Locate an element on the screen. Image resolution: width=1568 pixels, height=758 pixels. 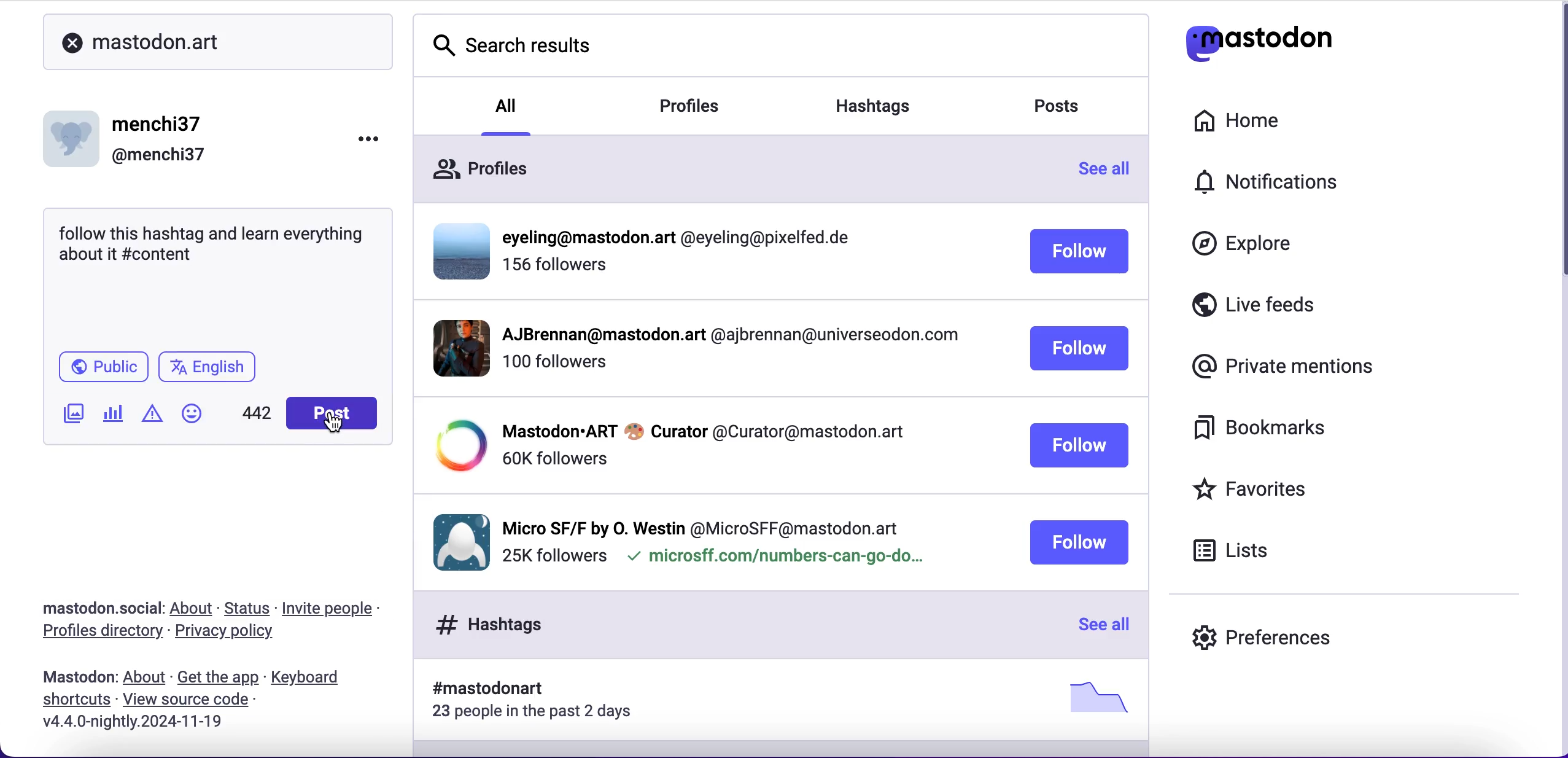
english is located at coordinates (210, 367).